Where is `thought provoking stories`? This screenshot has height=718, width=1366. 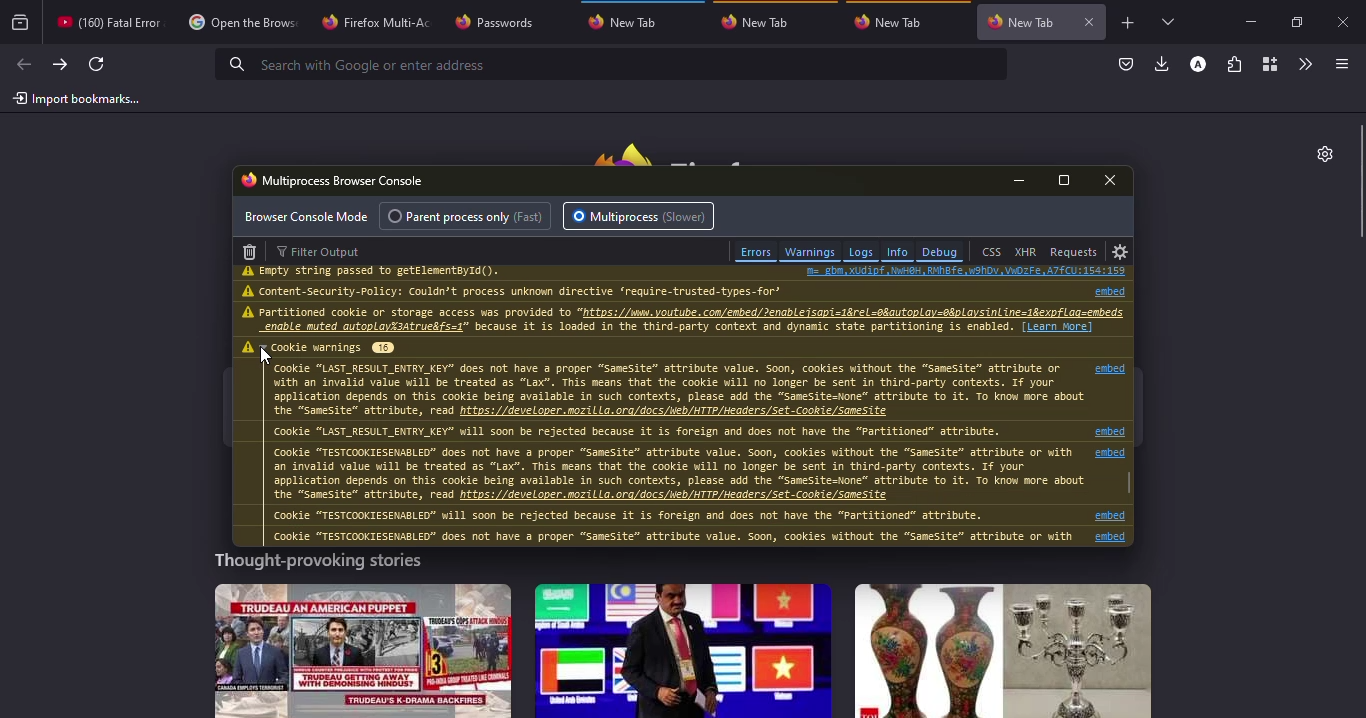 thought provoking stories is located at coordinates (316, 564).